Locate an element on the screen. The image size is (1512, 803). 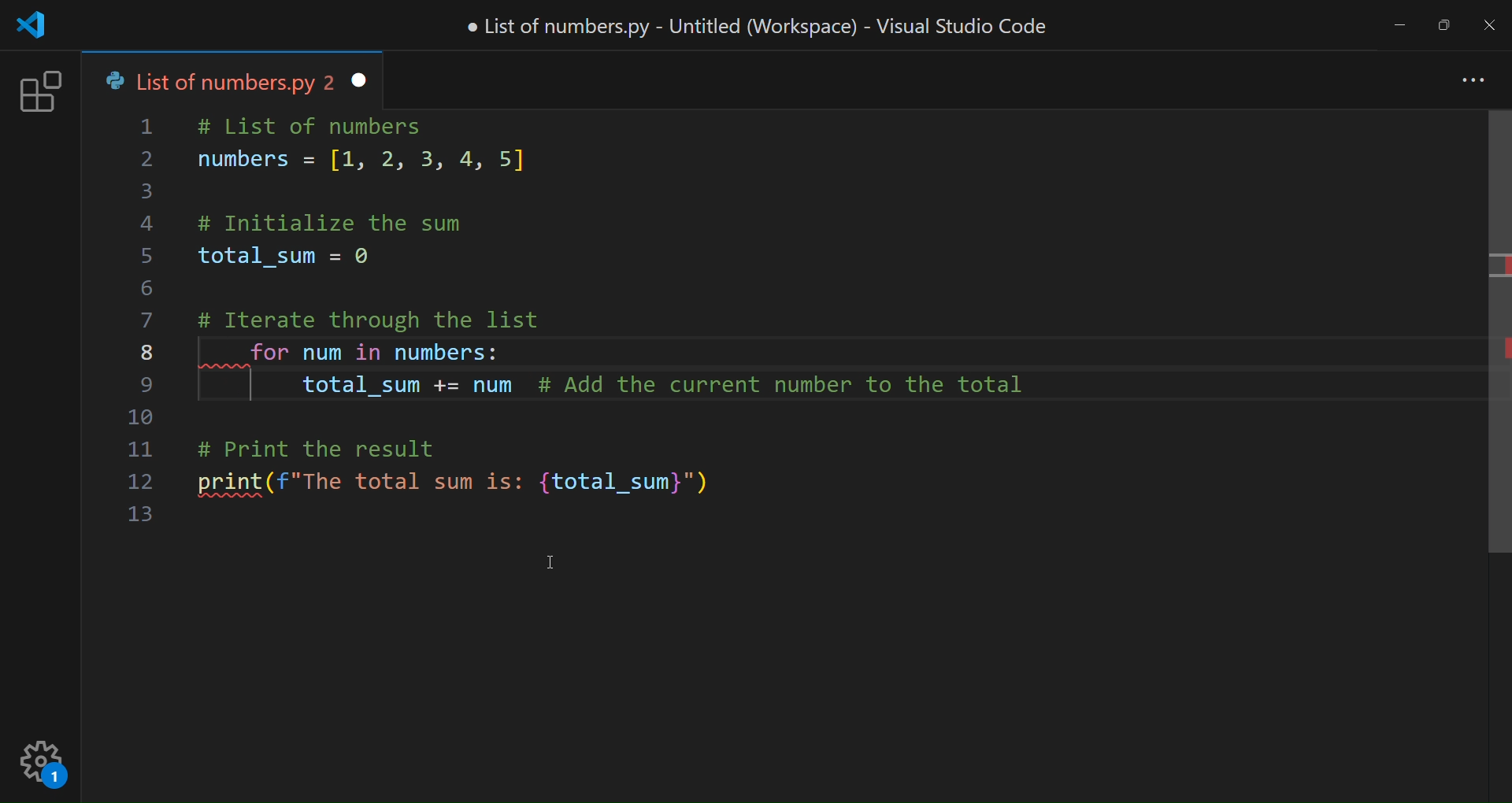
print code is located at coordinates (487, 475).